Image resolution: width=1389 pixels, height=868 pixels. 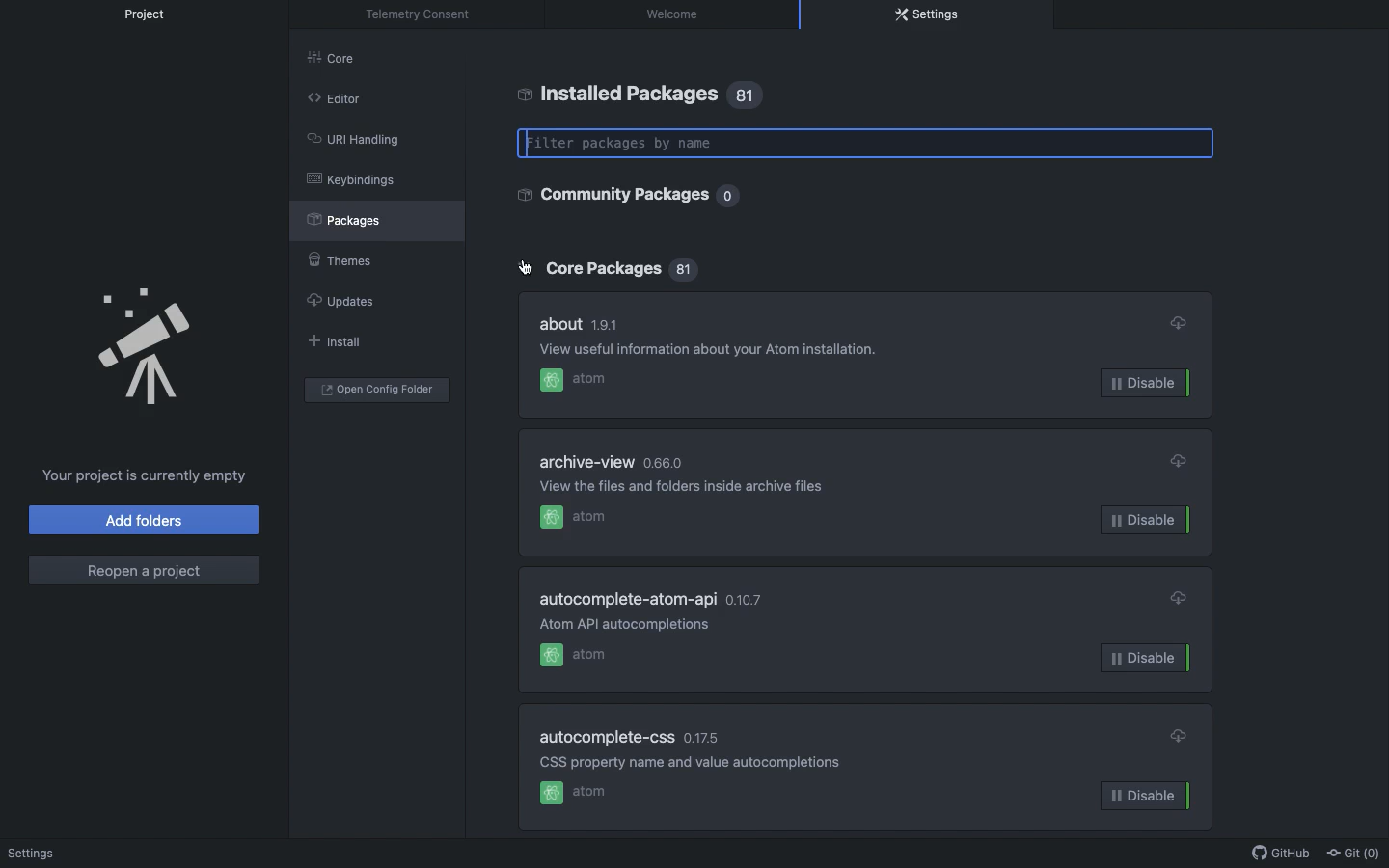 I want to click on 0, so click(x=729, y=197).